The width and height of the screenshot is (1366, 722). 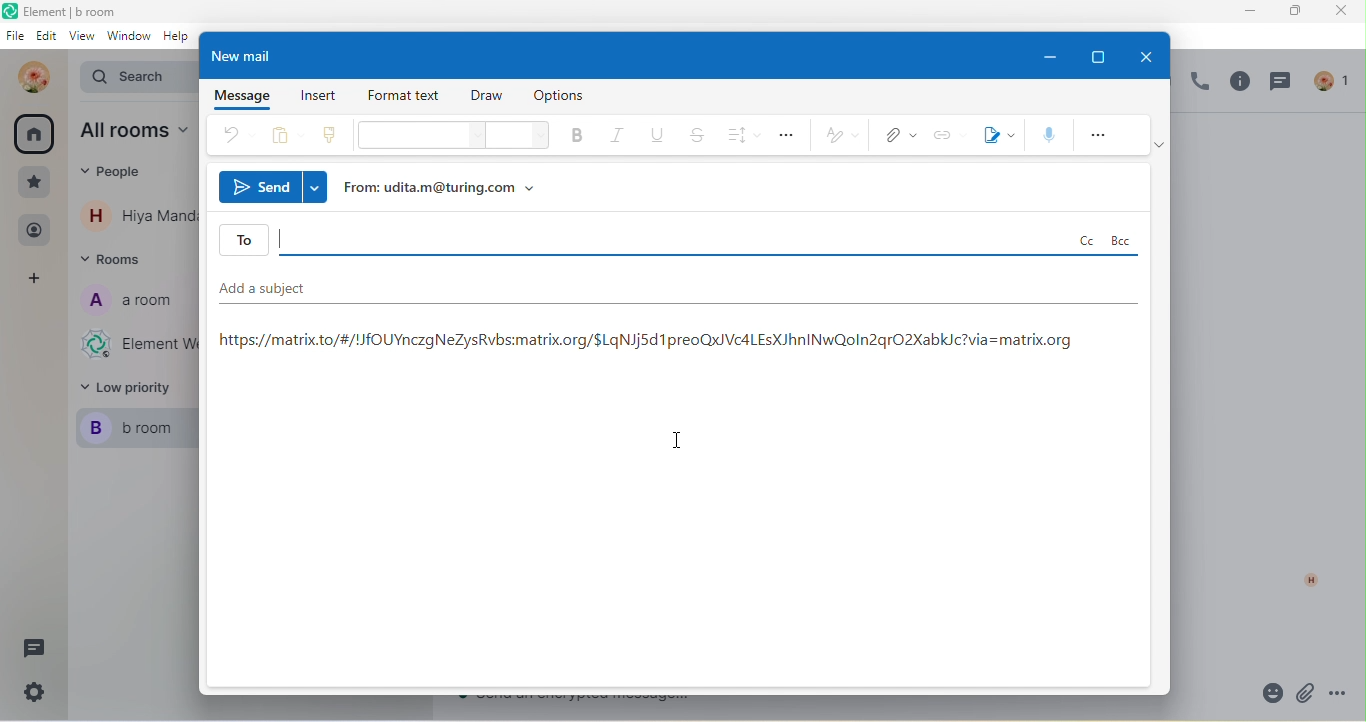 What do you see at coordinates (1197, 85) in the screenshot?
I see `voice call` at bounding box center [1197, 85].